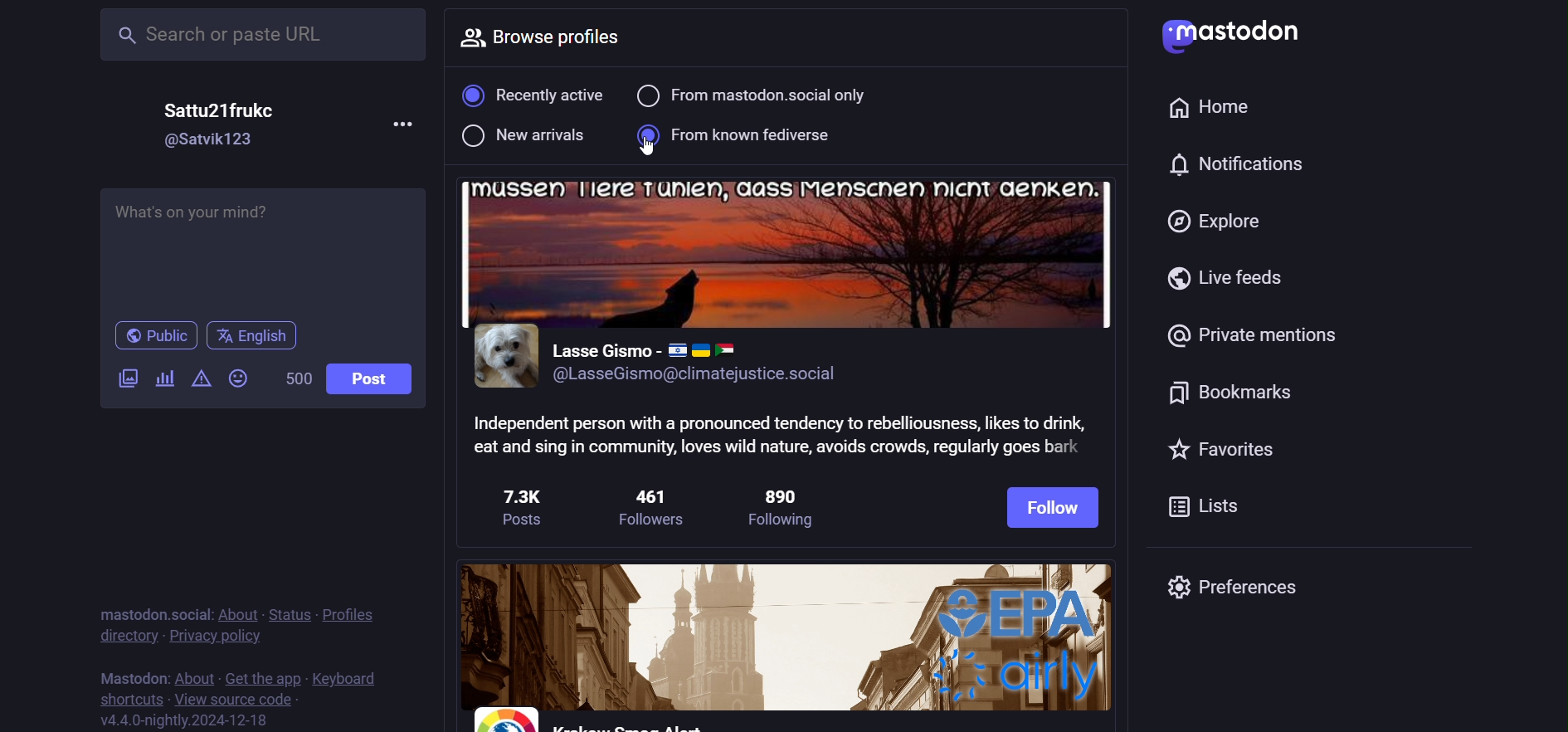  I want to click on about, so click(237, 610).